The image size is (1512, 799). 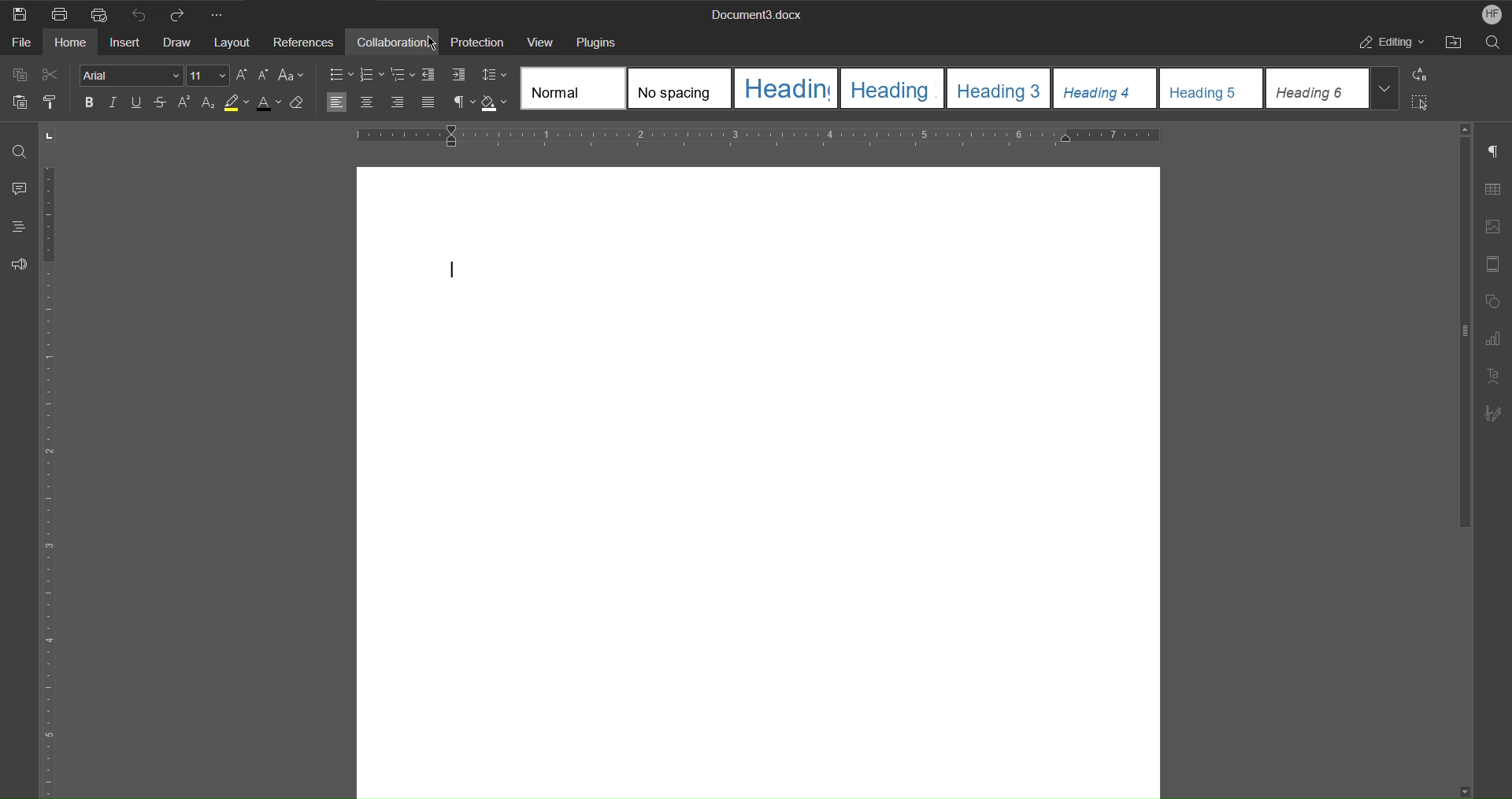 I want to click on Layout, so click(x=232, y=43).